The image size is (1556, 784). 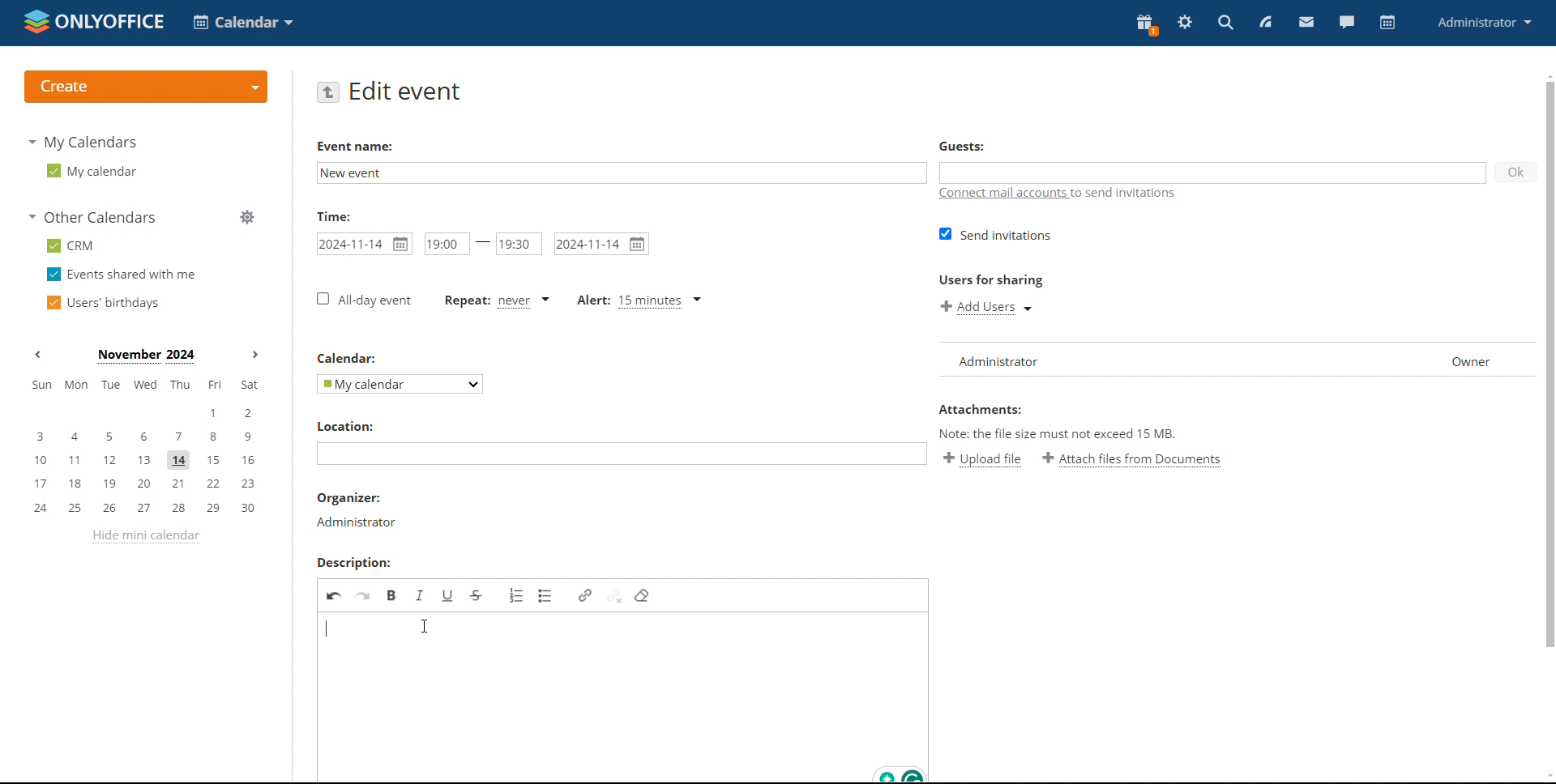 What do you see at coordinates (1514, 170) in the screenshot?
I see `ok` at bounding box center [1514, 170].